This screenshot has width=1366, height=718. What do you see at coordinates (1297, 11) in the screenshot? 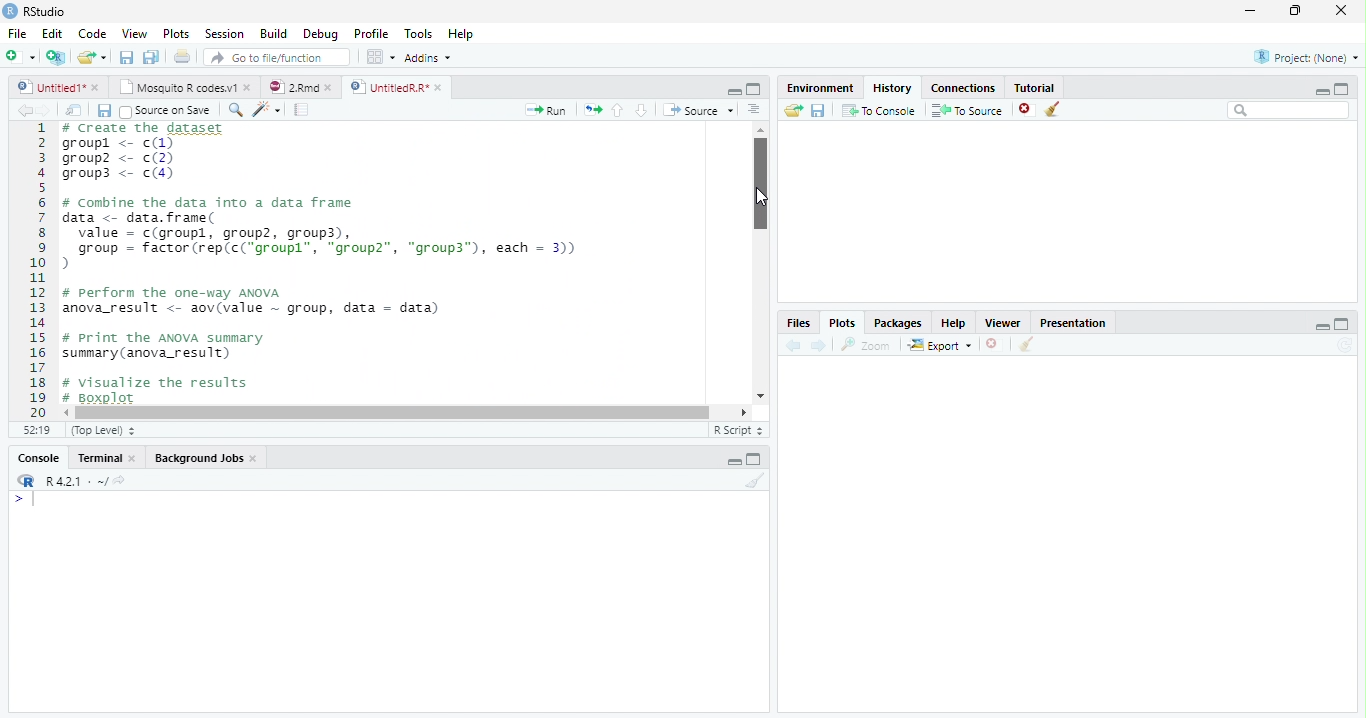
I see `Maximize` at bounding box center [1297, 11].